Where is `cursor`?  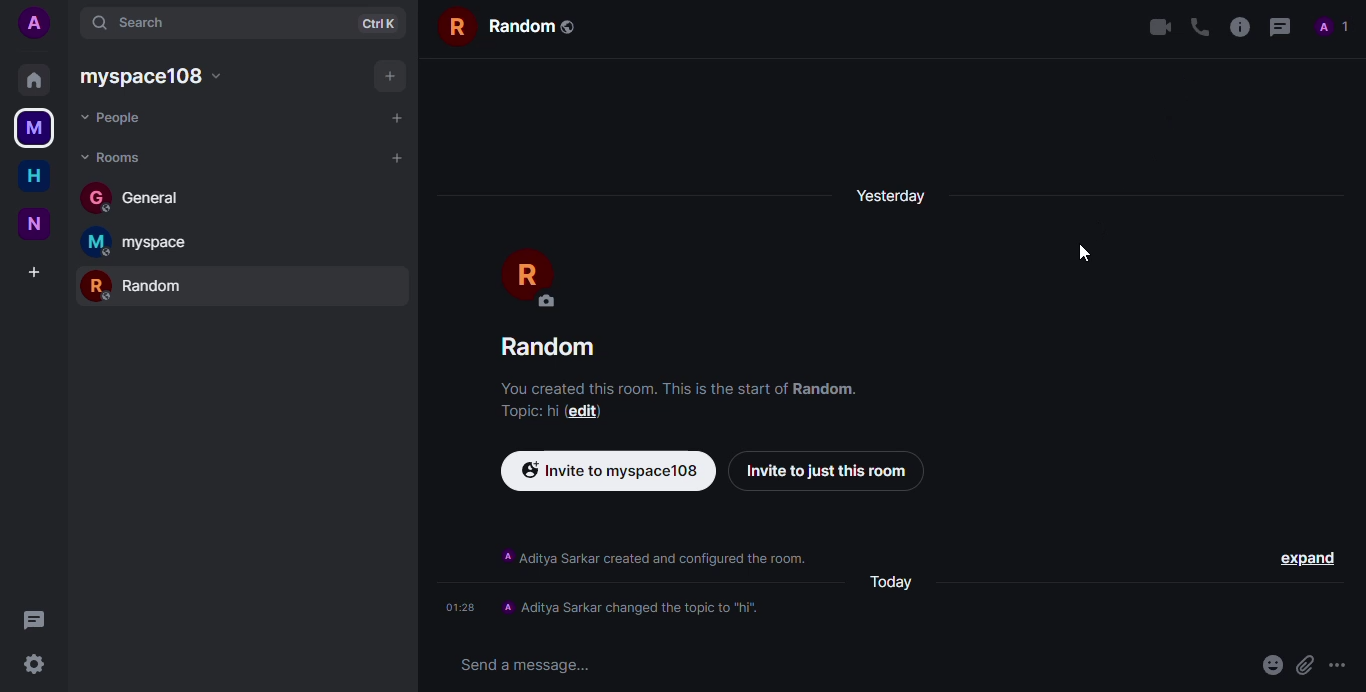
cursor is located at coordinates (1097, 261).